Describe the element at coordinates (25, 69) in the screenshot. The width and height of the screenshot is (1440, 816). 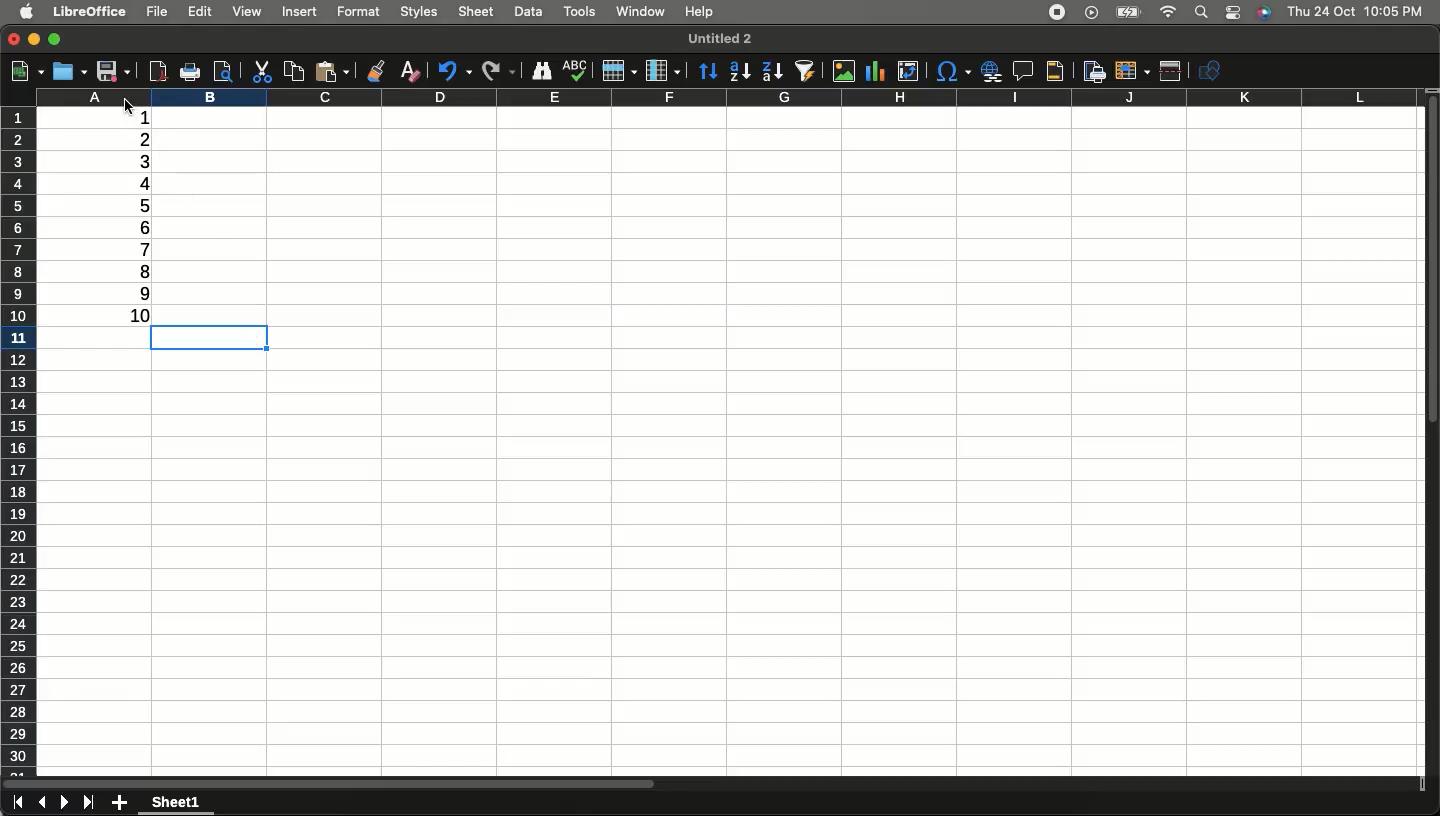
I see `New` at that location.